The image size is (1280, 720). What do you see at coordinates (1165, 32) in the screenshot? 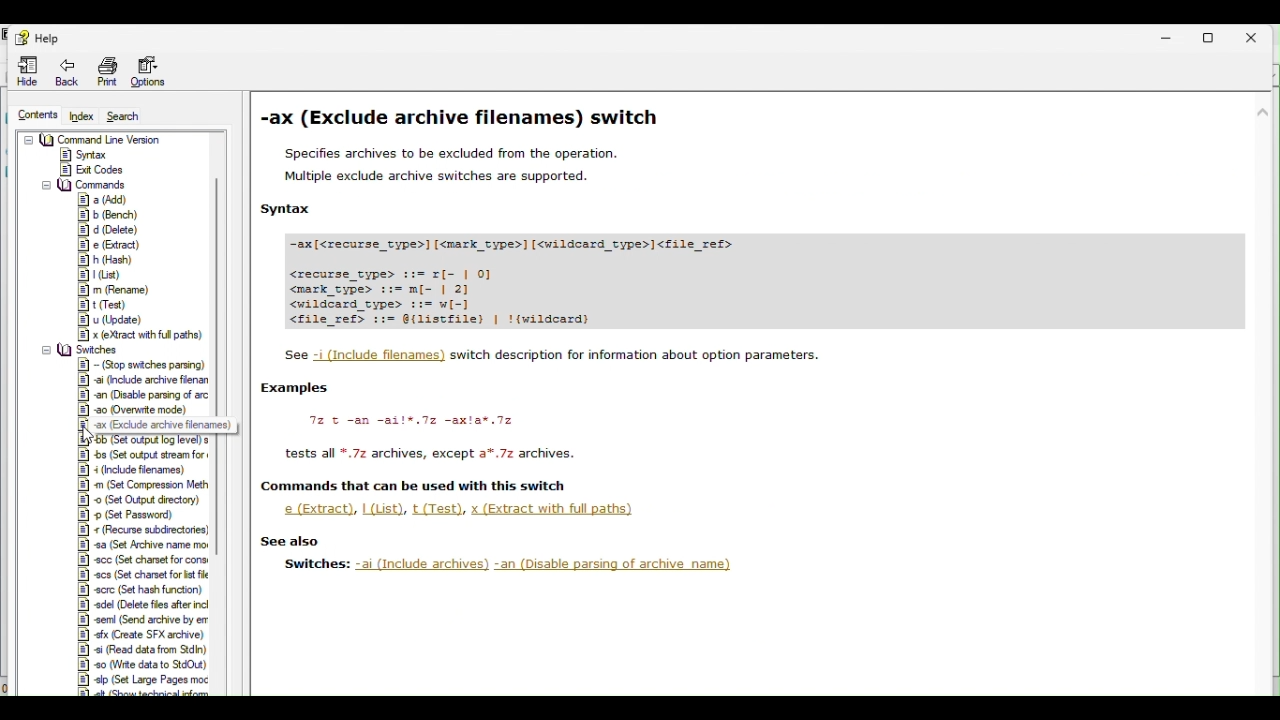
I see `Minimise` at bounding box center [1165, 32].